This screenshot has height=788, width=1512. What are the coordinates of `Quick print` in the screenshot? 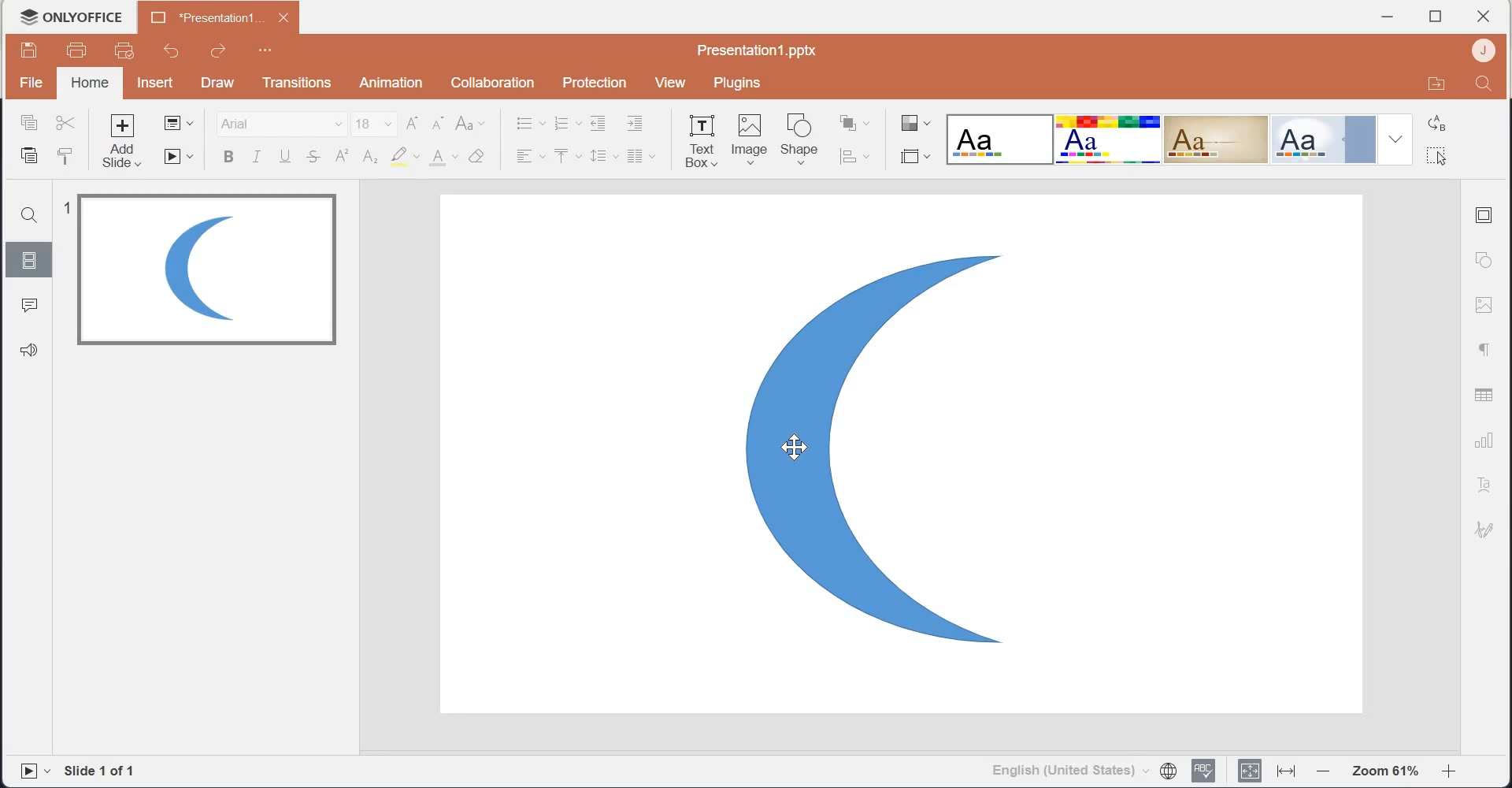 It's located at (120, 52).